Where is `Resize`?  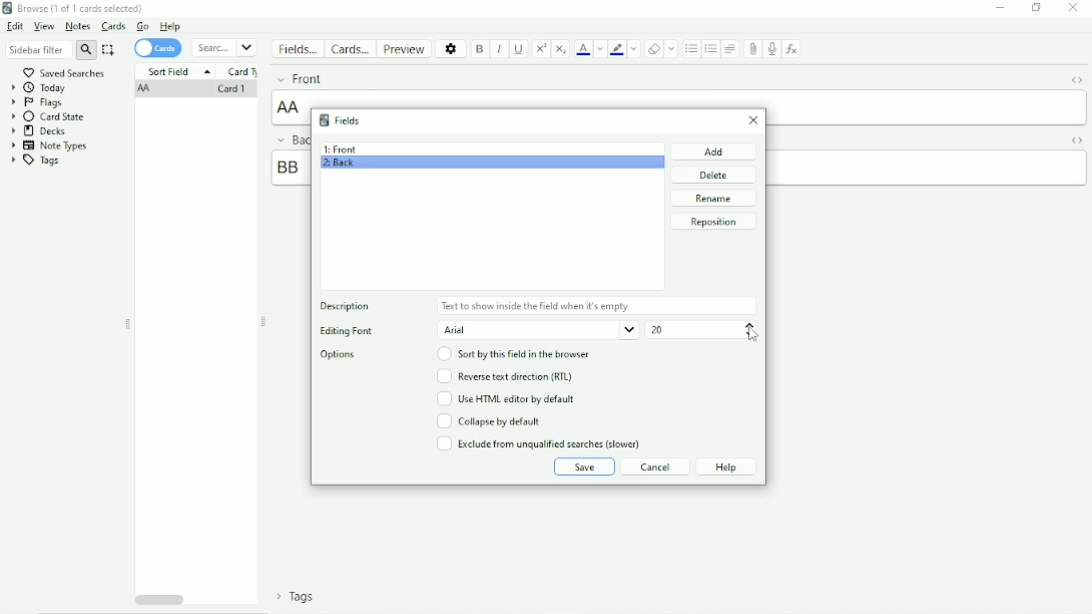
Resize is located at coordinates (264, 322).